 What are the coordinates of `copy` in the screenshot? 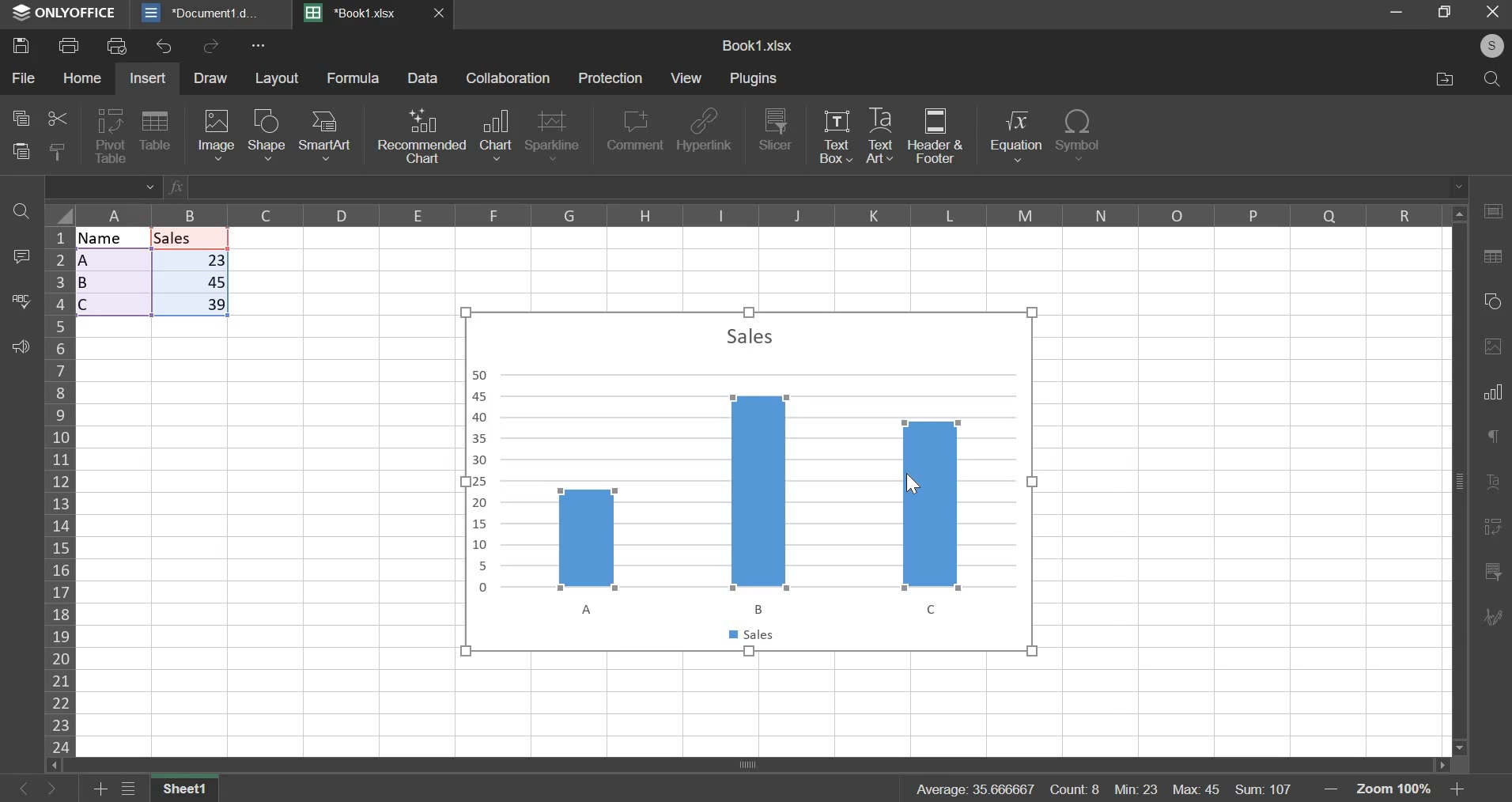 It's located at (20, 119).